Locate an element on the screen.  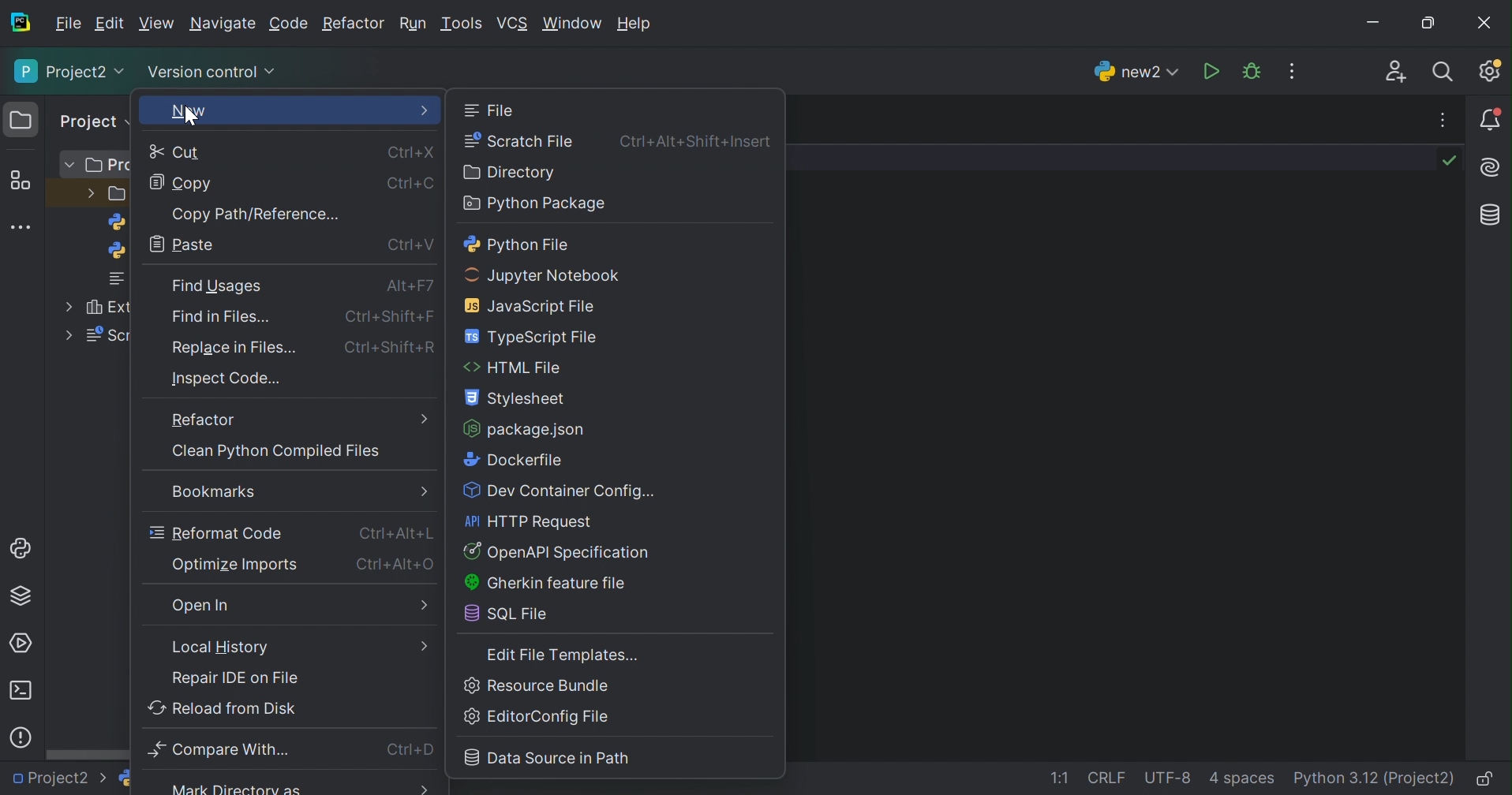
More tool windows is located at coordinates (22, 226).